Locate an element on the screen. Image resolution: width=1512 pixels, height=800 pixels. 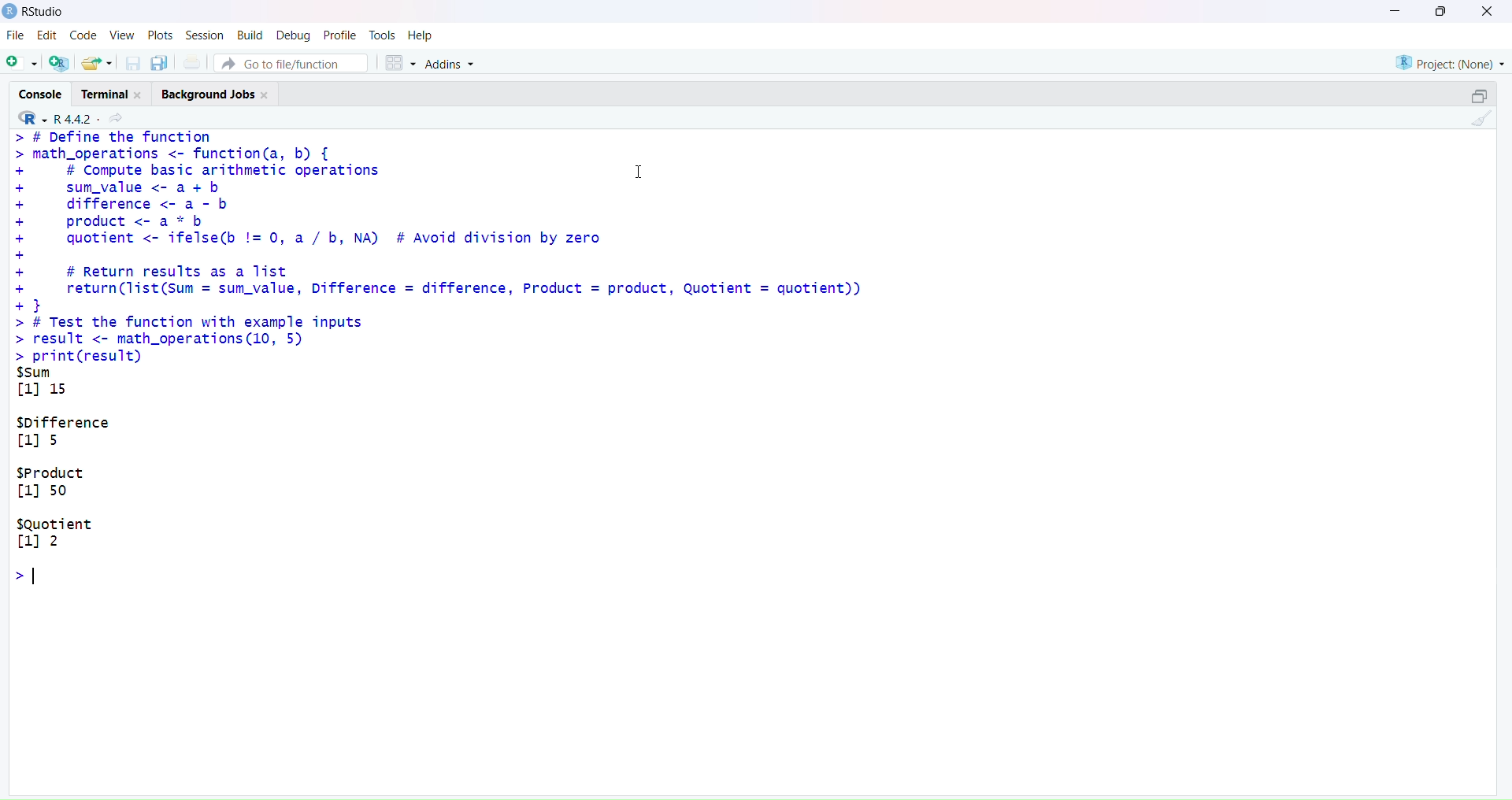
Clear console (Ctrl +L) is located at coordinates (1478, 122).